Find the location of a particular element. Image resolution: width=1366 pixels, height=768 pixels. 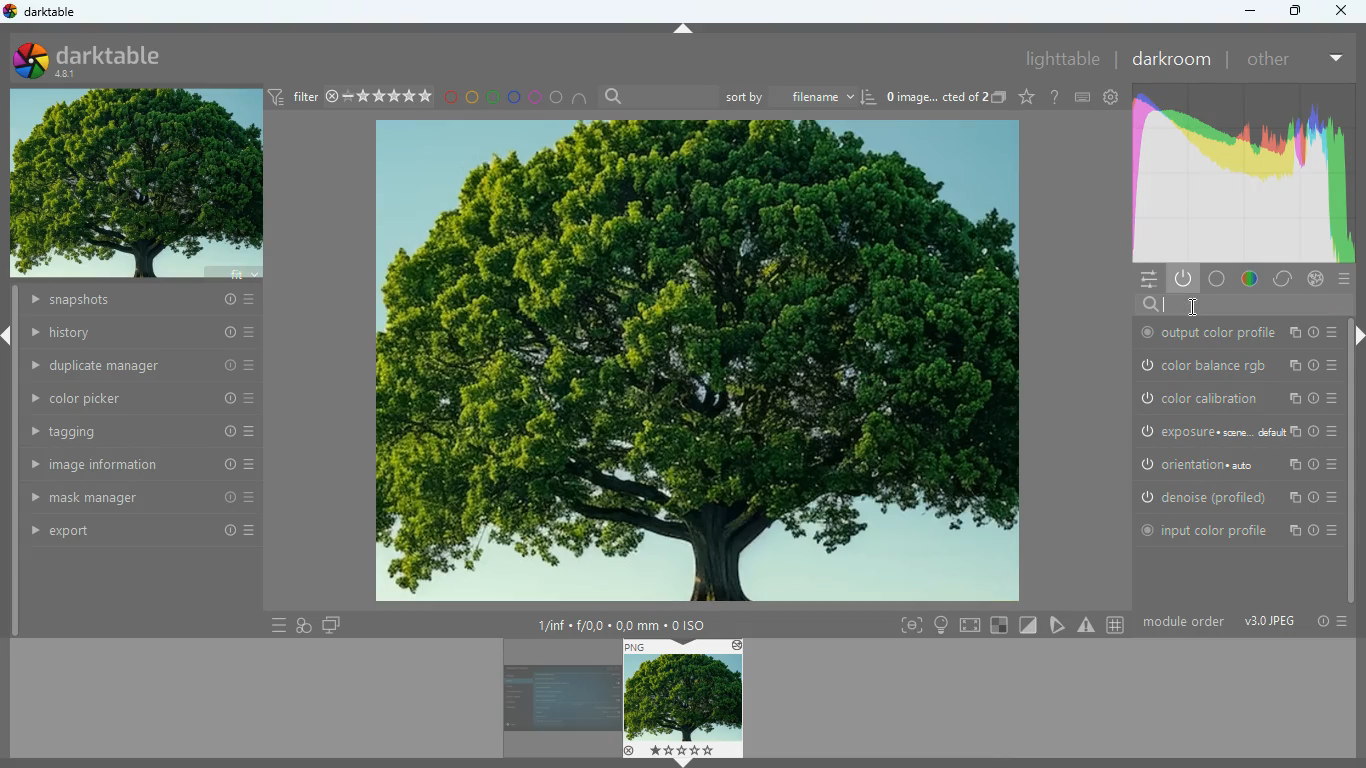

output color profile is located at coordinates (1234, 332).